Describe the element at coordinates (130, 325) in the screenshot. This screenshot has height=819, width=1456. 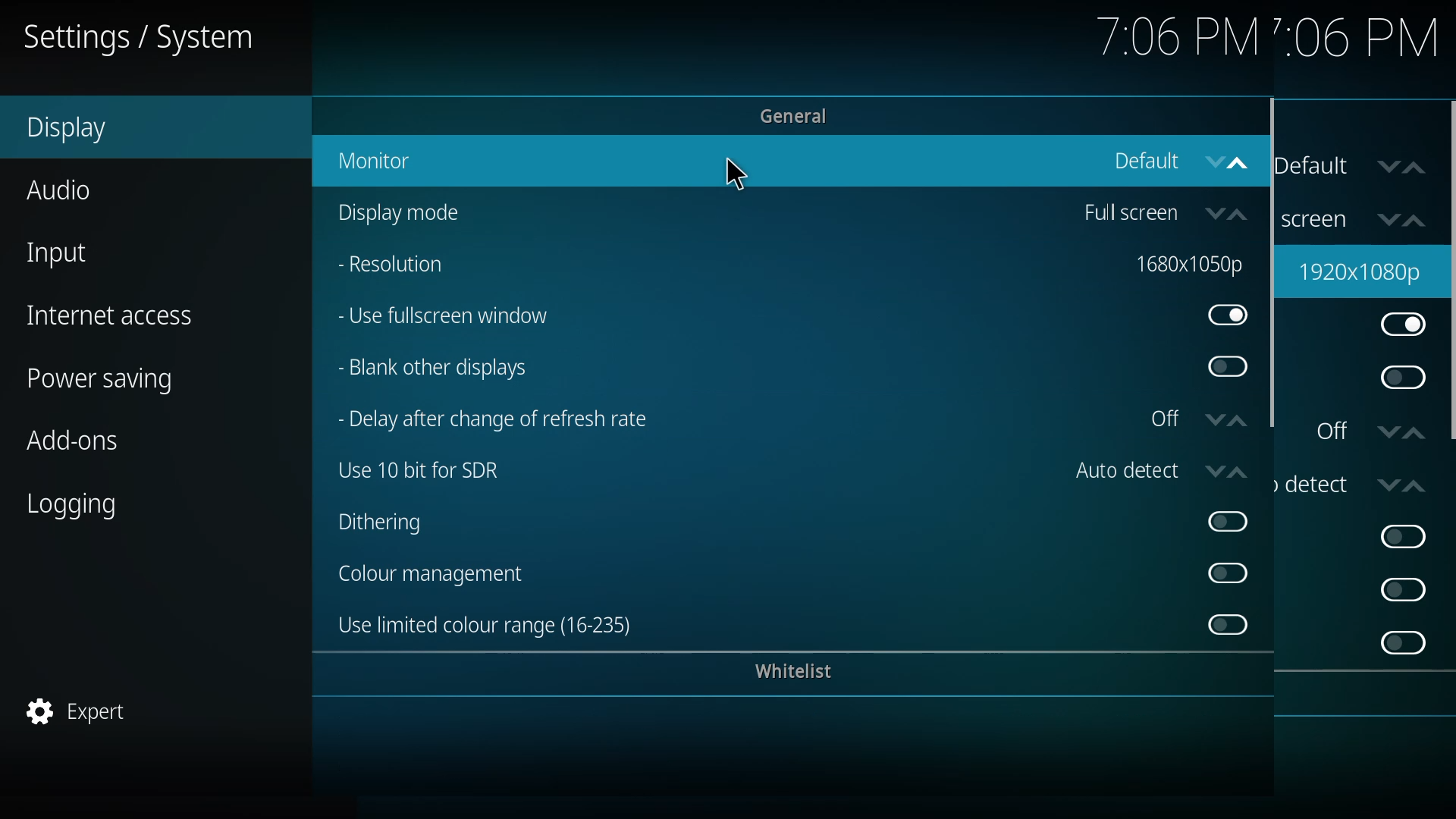
I see `internet access` at that location.